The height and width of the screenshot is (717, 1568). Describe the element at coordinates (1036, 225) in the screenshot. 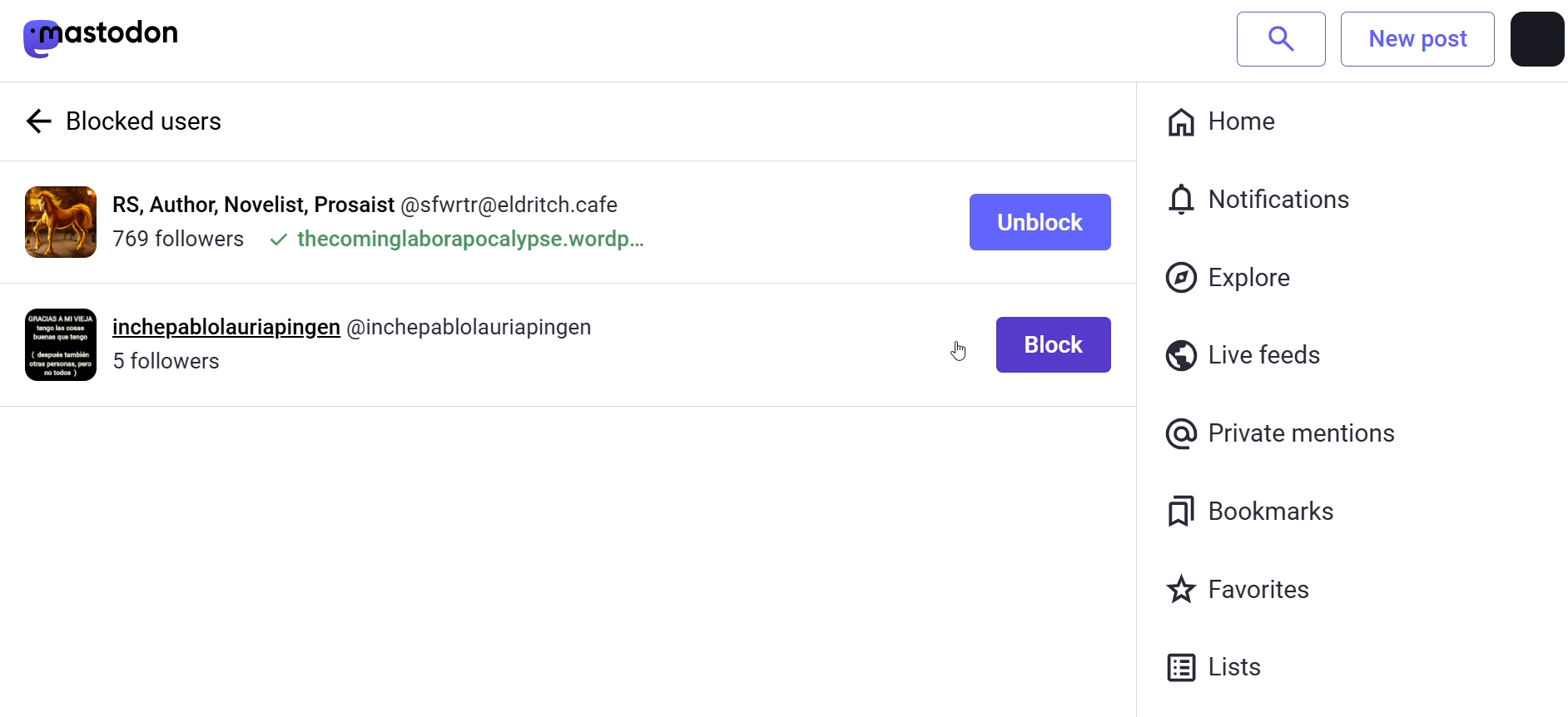

I see `unblock` at that location.